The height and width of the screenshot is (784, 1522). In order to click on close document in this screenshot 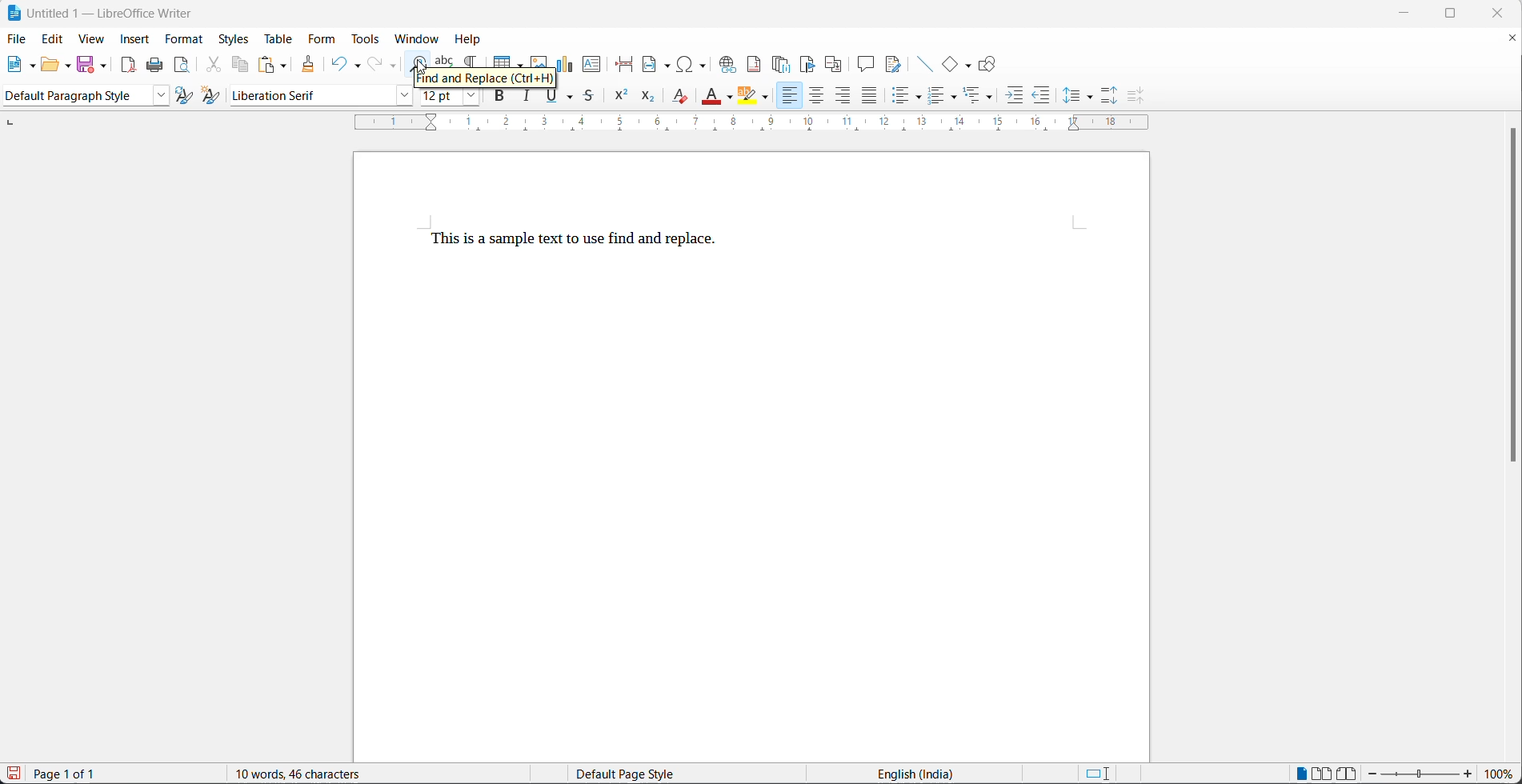, I will do `click(1512, 41)`.